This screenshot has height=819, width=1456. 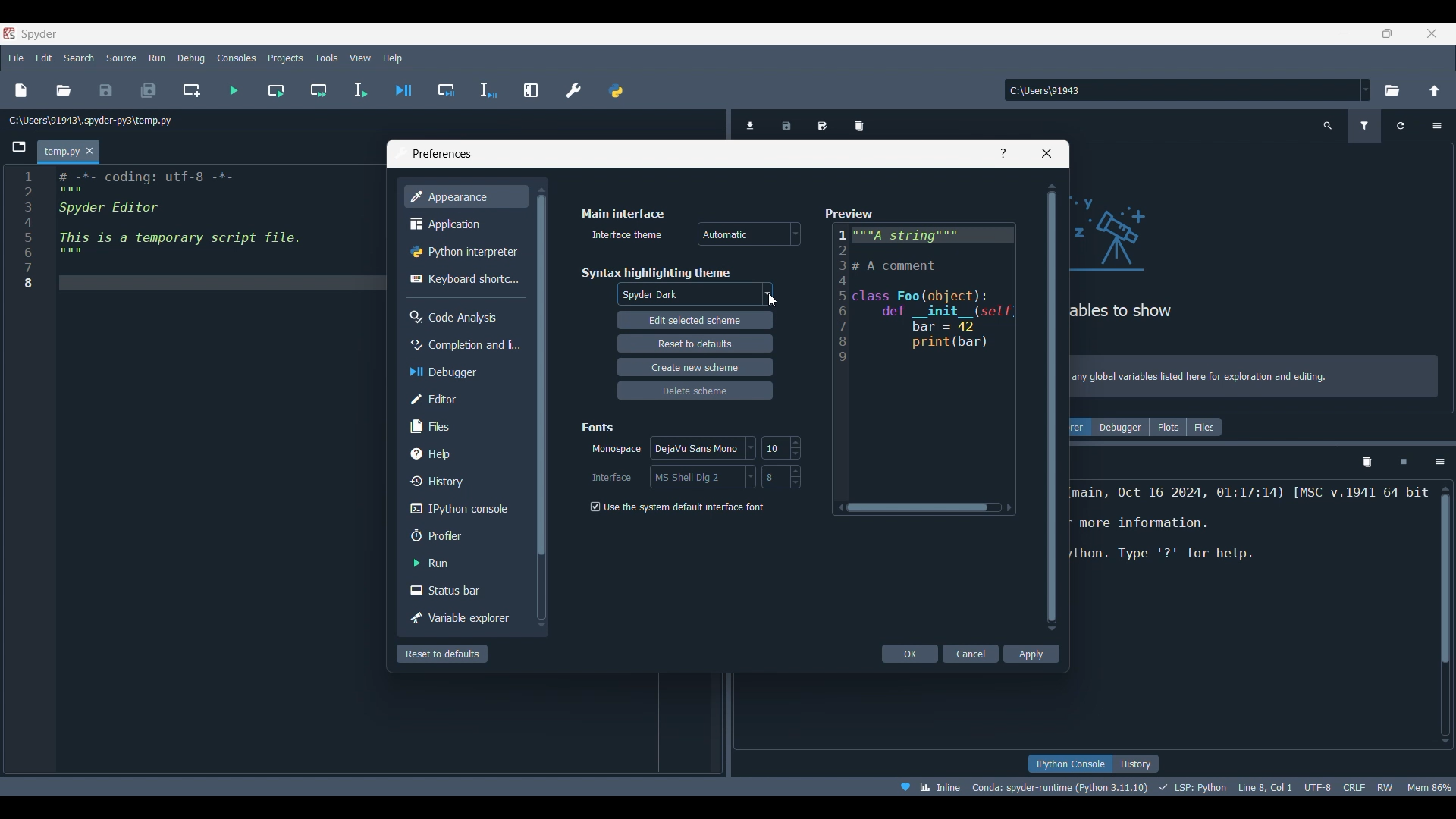 I want to click on Appearance, current selection highlighted, so click(x=465, y=196).